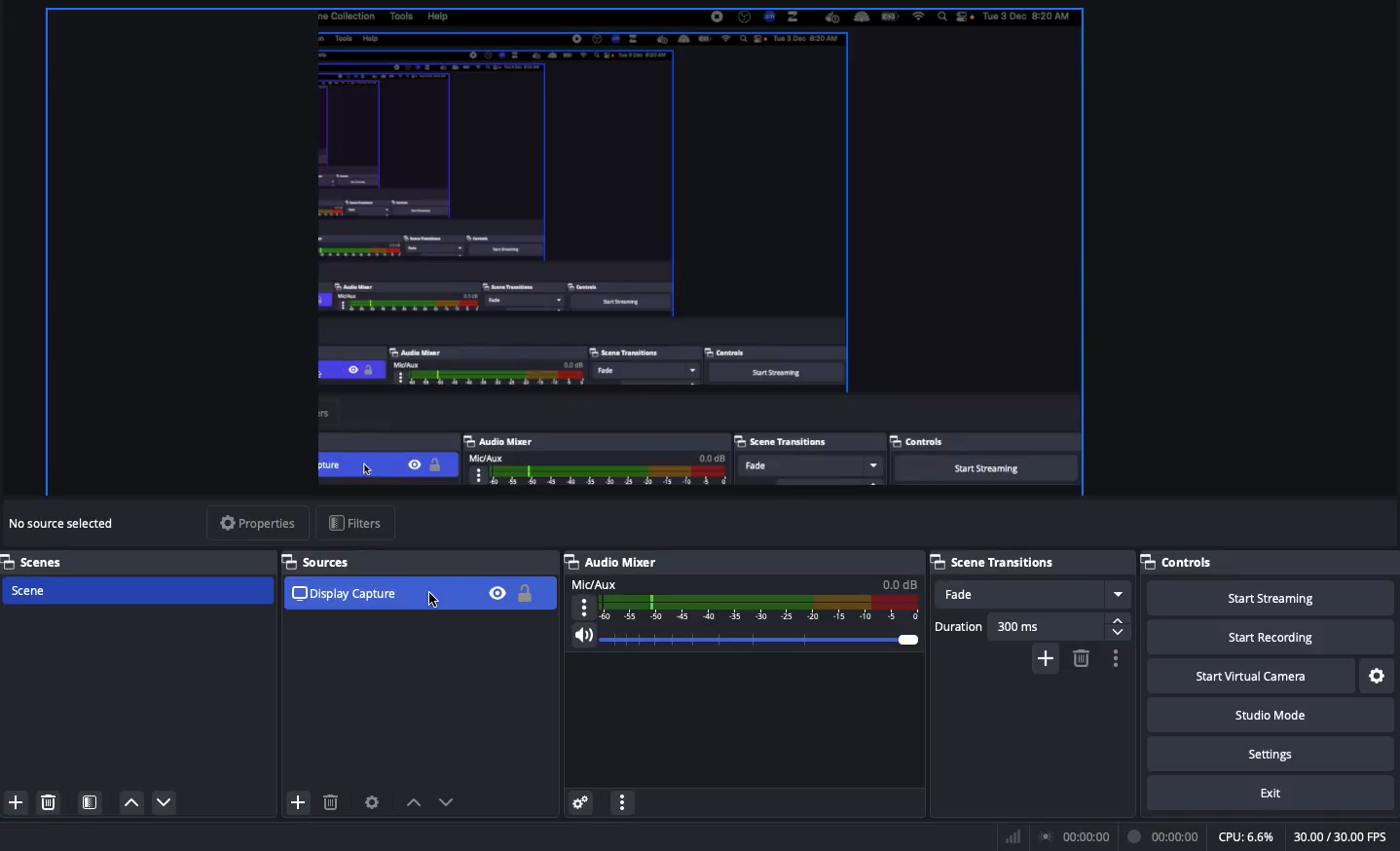 The image size is (1400, 851). What do you see at coordinates (136, 592) in the screenshot?
I see `Scene` at bounding box center [136, 592].